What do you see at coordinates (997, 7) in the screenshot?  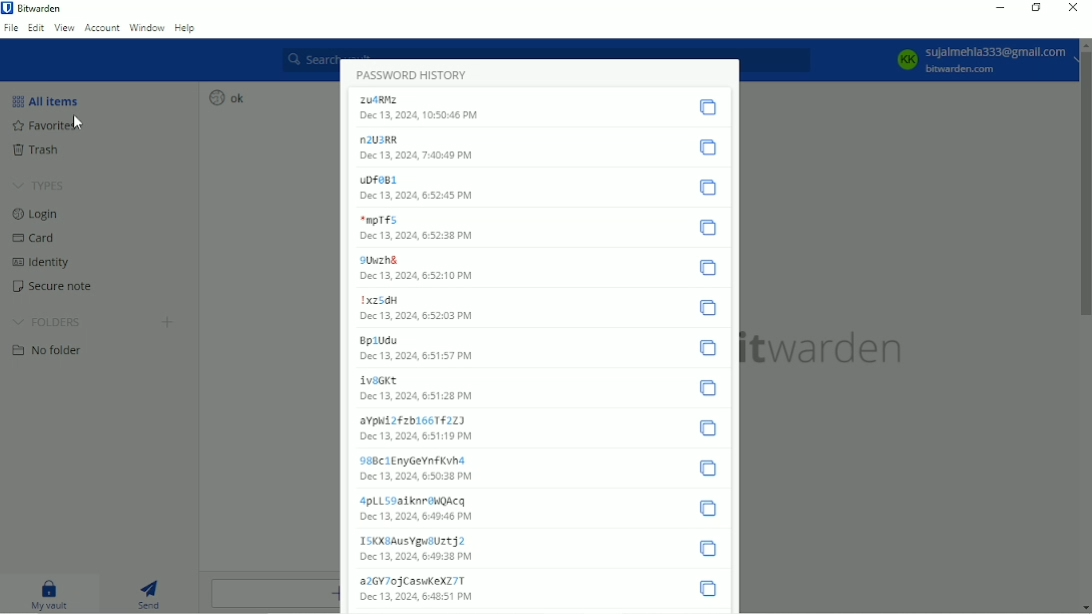 I see `Minimize` at bounding box center [997, 7].